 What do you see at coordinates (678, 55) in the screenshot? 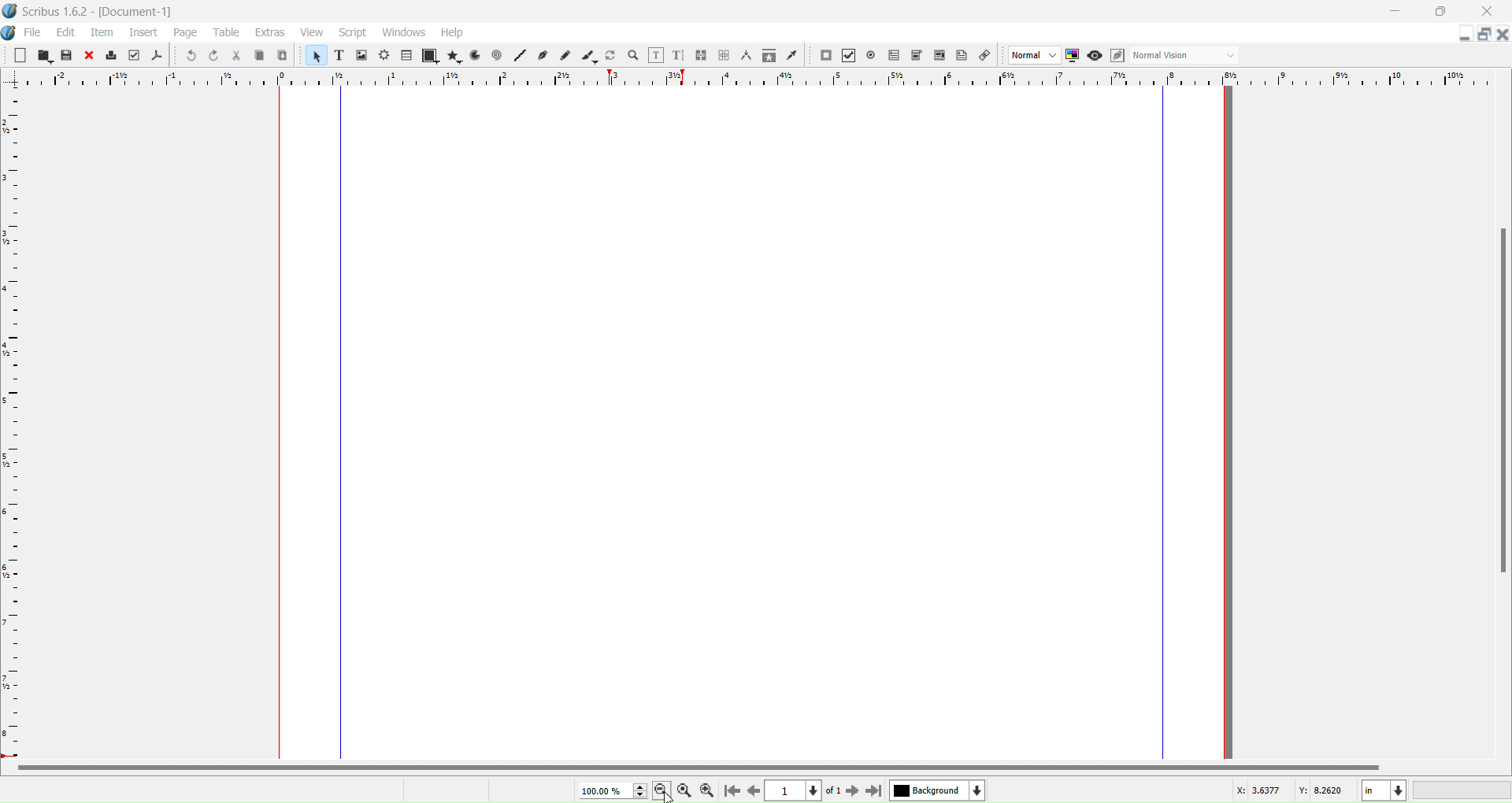
I see `Edit Text with Story Editor` at bounding box center [678, 55].